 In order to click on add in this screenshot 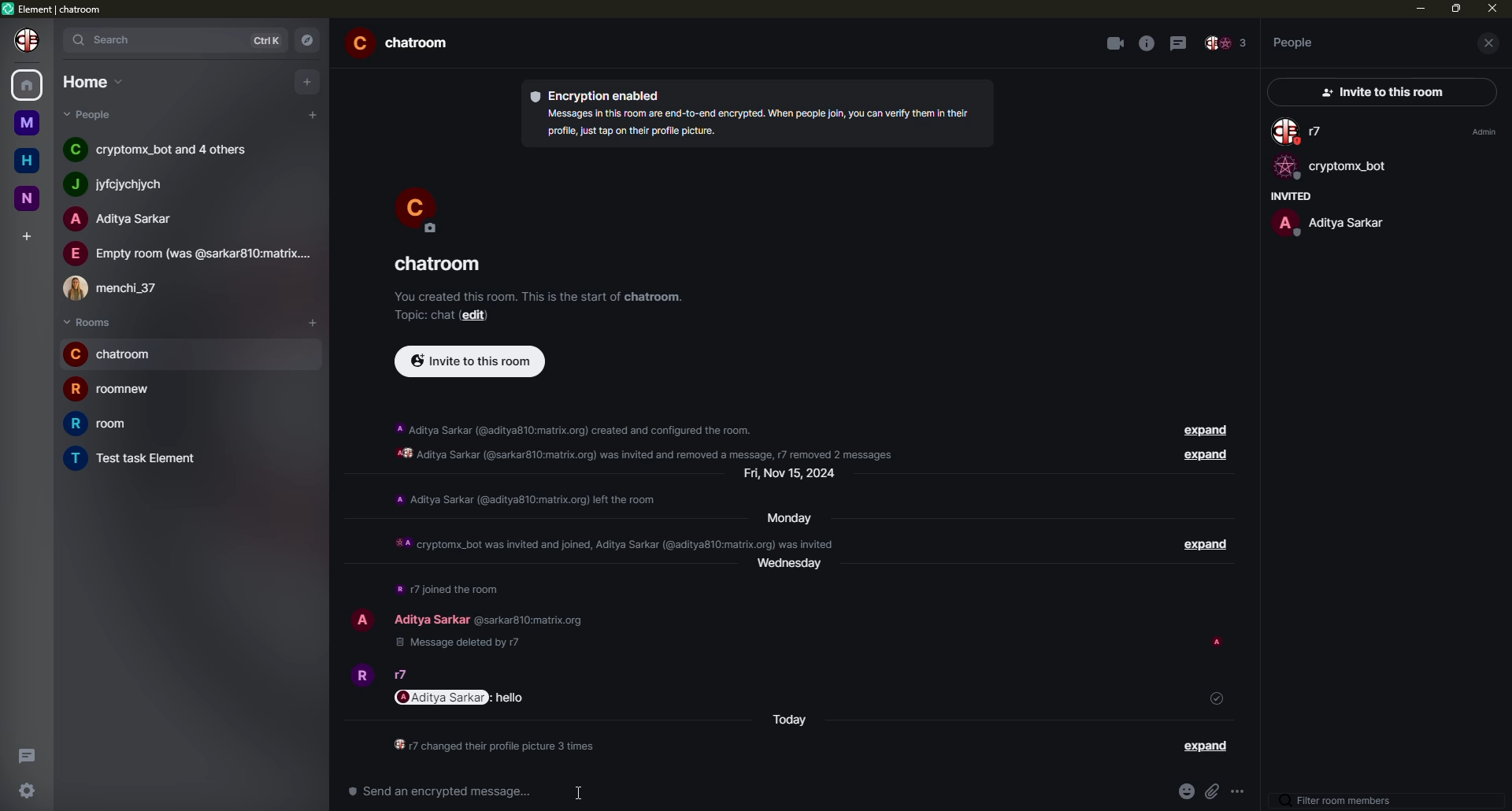, I will do `click(309, 80)`.